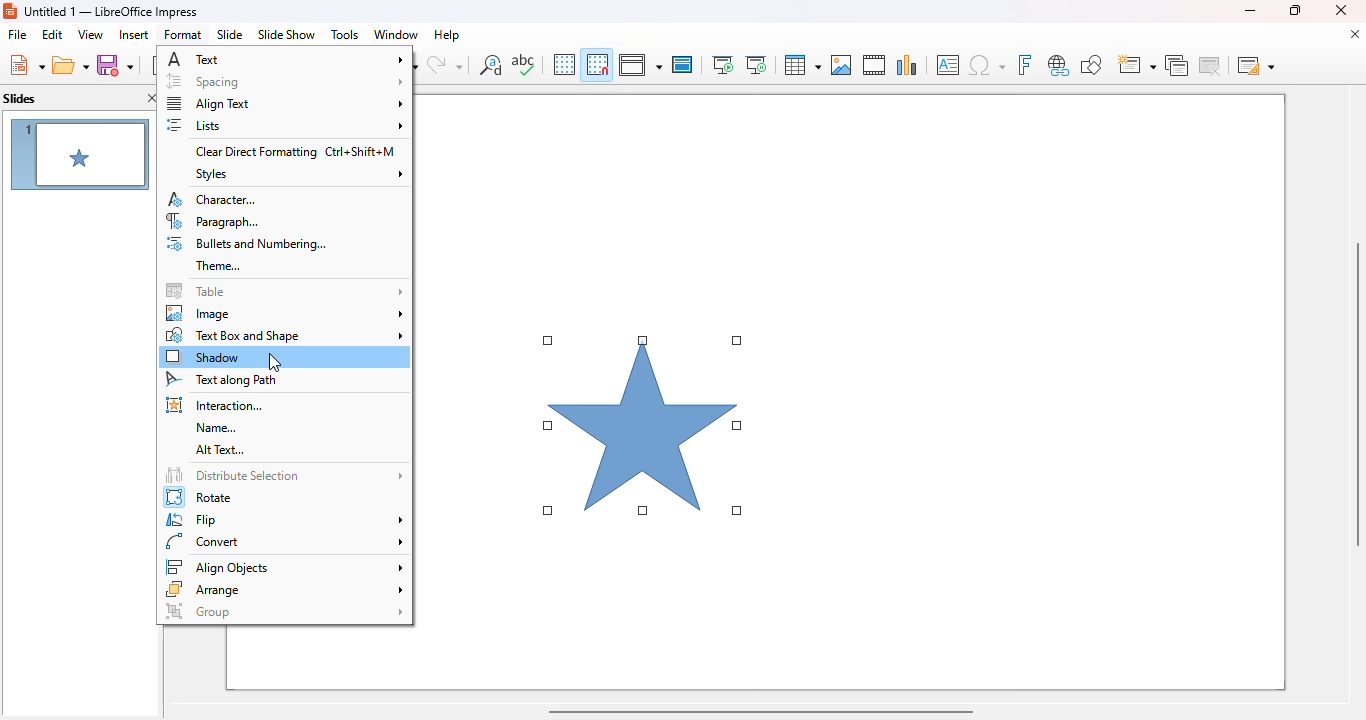 This screenshot has width=1366, height=720. What do you see at coordinates (183, 34) in the screenshot?
I see `format` at bounding box center [183, 34].